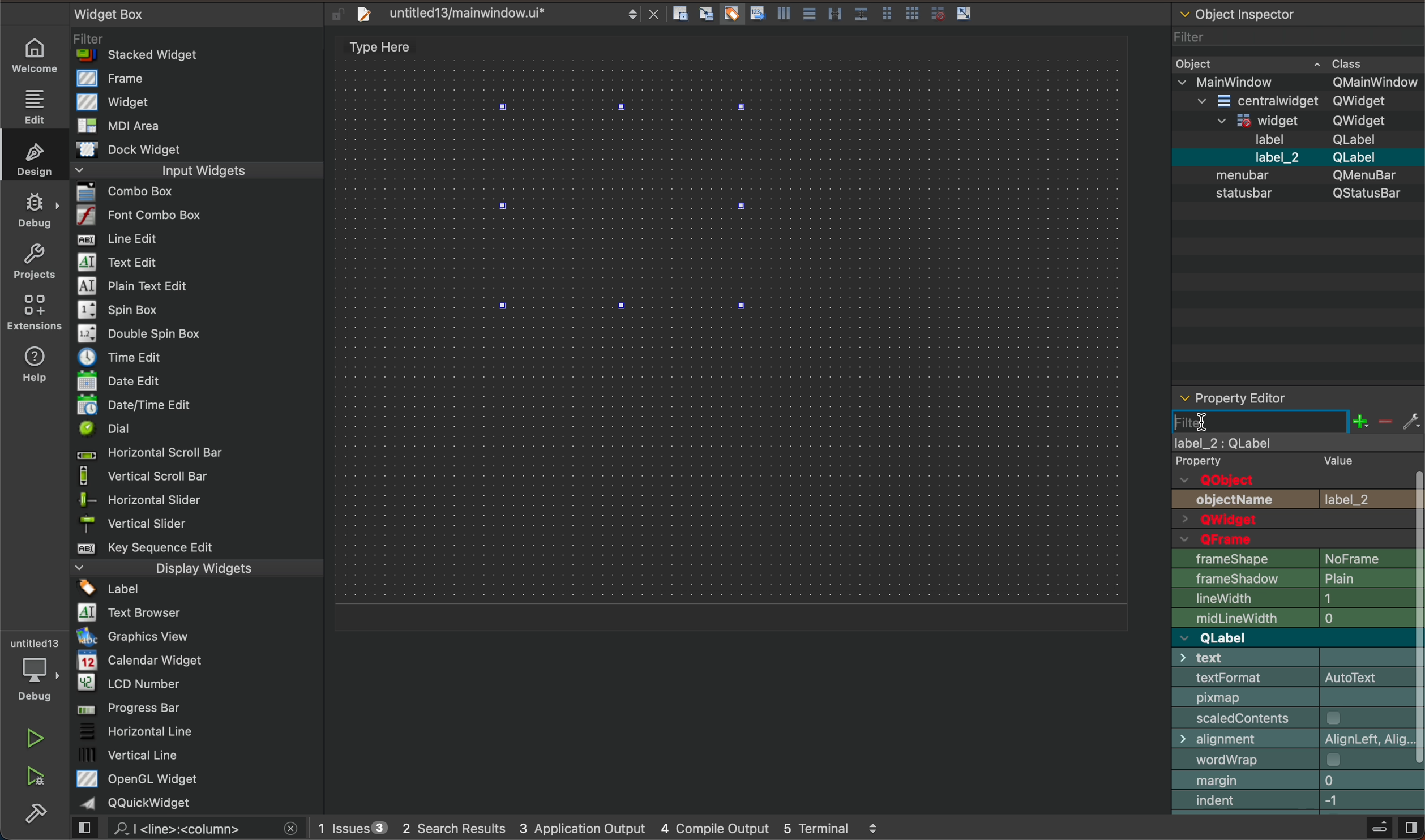 The width and height of the screenshot is (1425, 840). What do you see at coordinates (1296, 421) in the screenshot?
I see `filter` at bounding box center [1296, 421].